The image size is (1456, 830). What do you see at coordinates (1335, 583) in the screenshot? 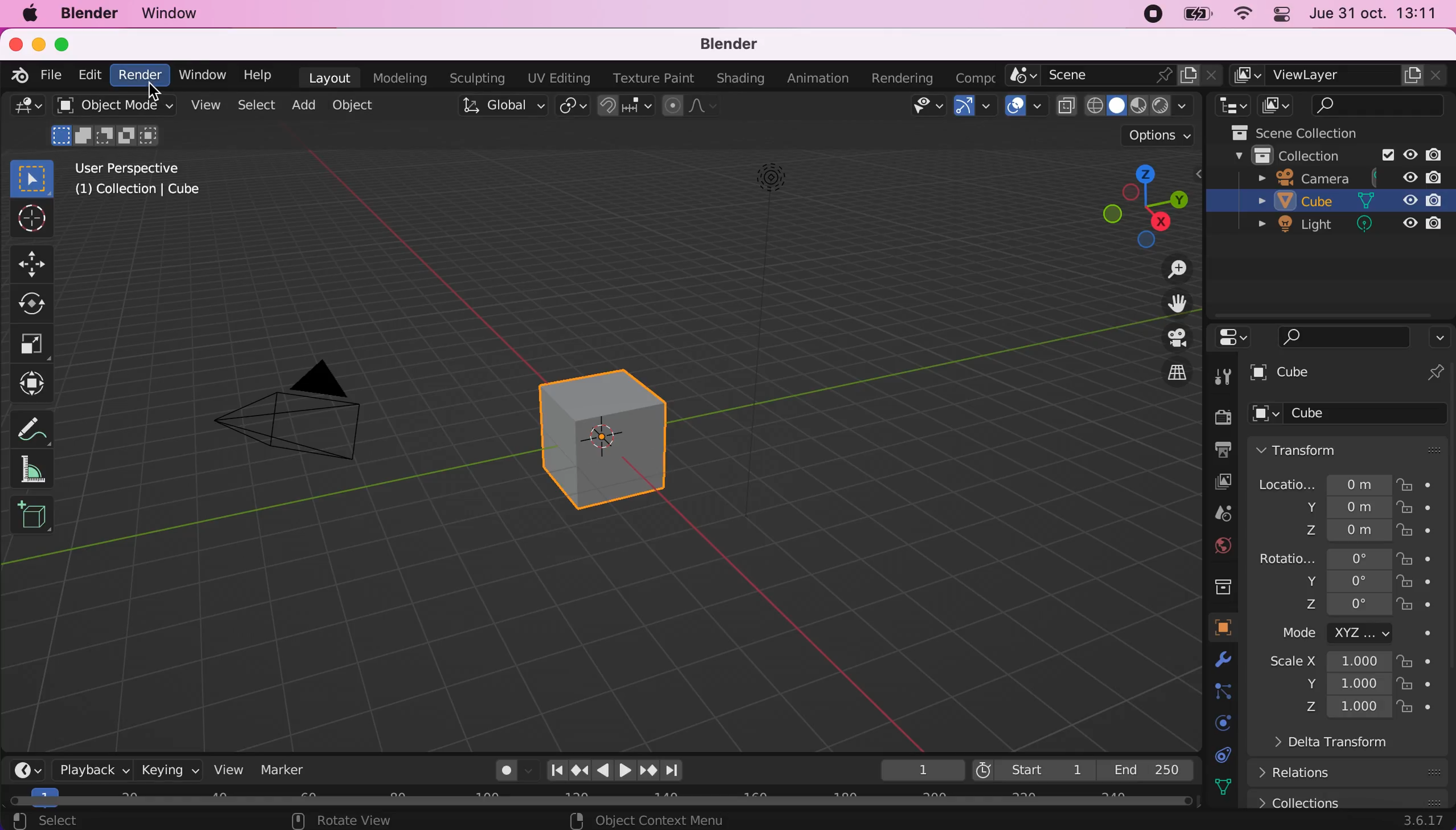
I see `rotation y` at bounding box center [1335, 583].